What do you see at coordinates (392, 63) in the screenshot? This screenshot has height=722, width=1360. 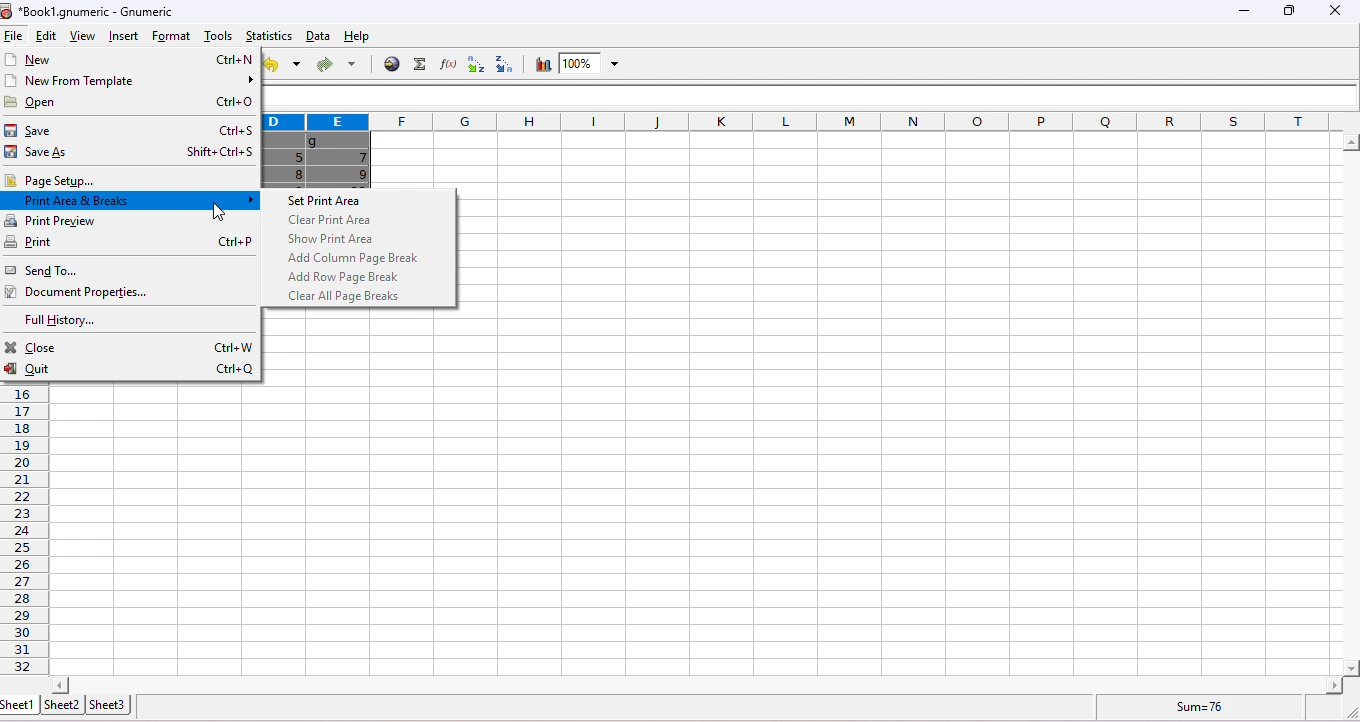 I see `insert hyperlink` at bounding box center [392, 63].